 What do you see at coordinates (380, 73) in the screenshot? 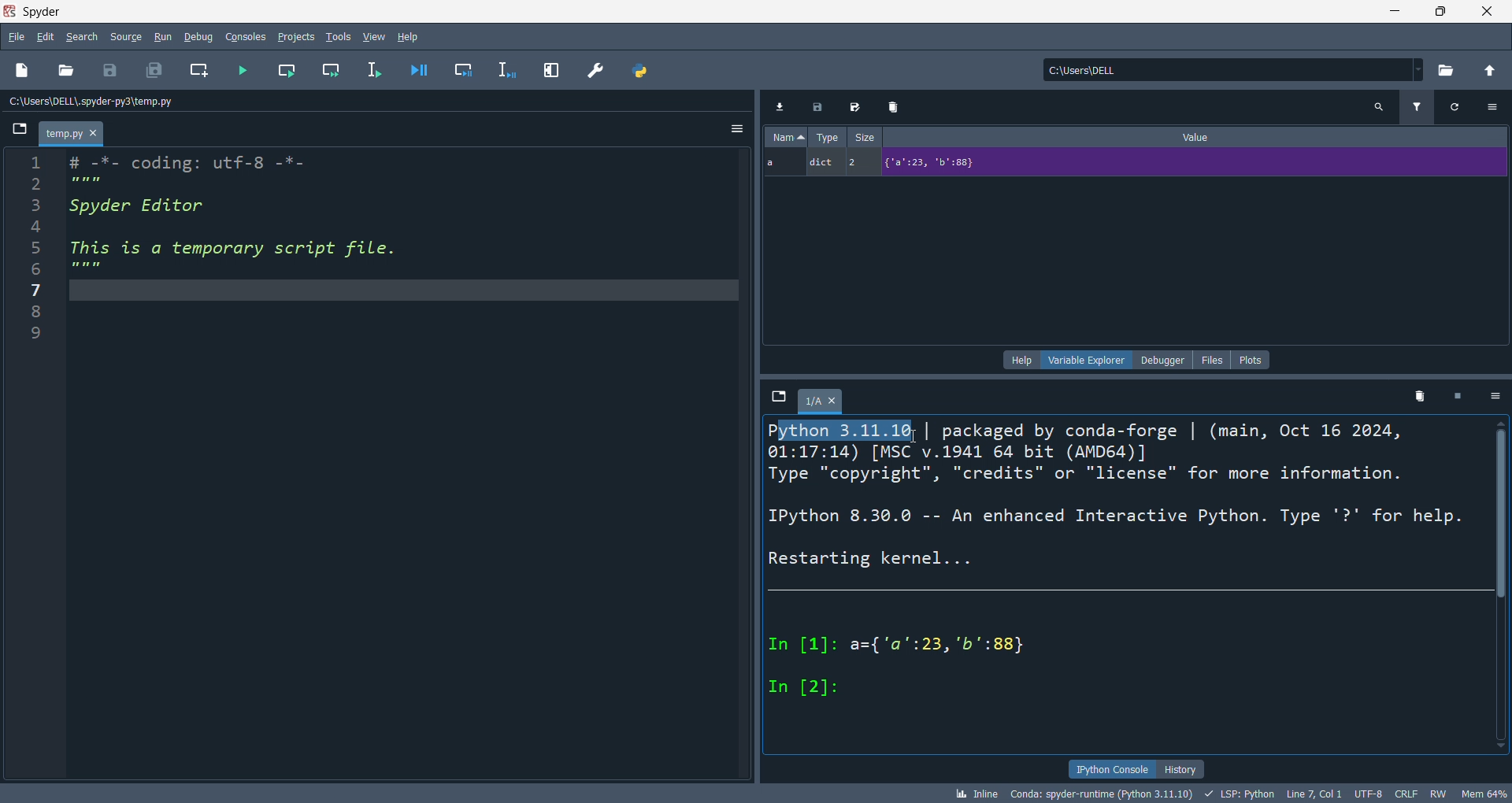
I see `run line` at bounding box center [380, 73].